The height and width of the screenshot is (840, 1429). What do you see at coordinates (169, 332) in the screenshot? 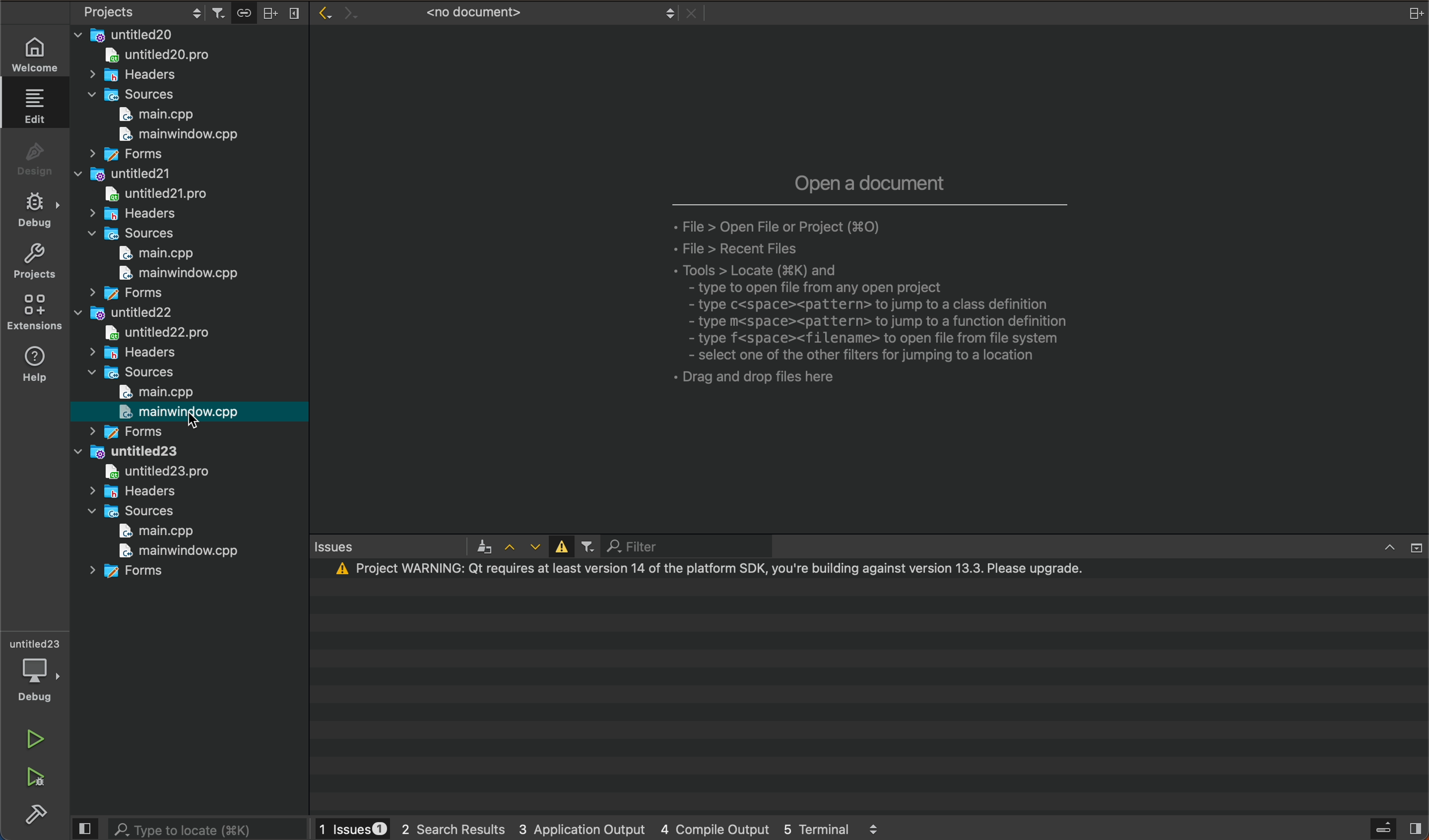
I see `untitled22pro` at bounding box center [169, 332].